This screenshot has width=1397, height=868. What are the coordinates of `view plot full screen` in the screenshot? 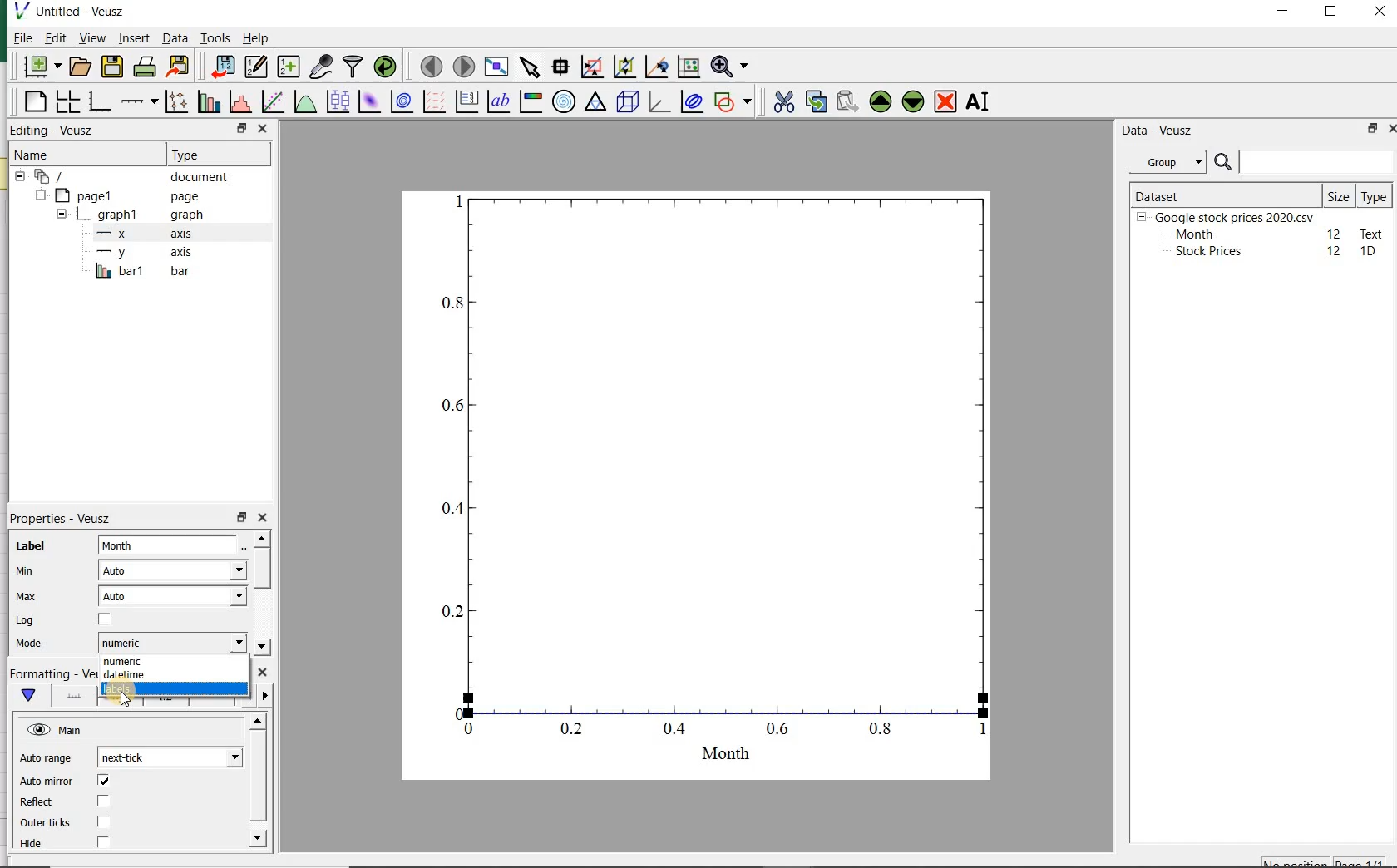 It's located at (496, 67).